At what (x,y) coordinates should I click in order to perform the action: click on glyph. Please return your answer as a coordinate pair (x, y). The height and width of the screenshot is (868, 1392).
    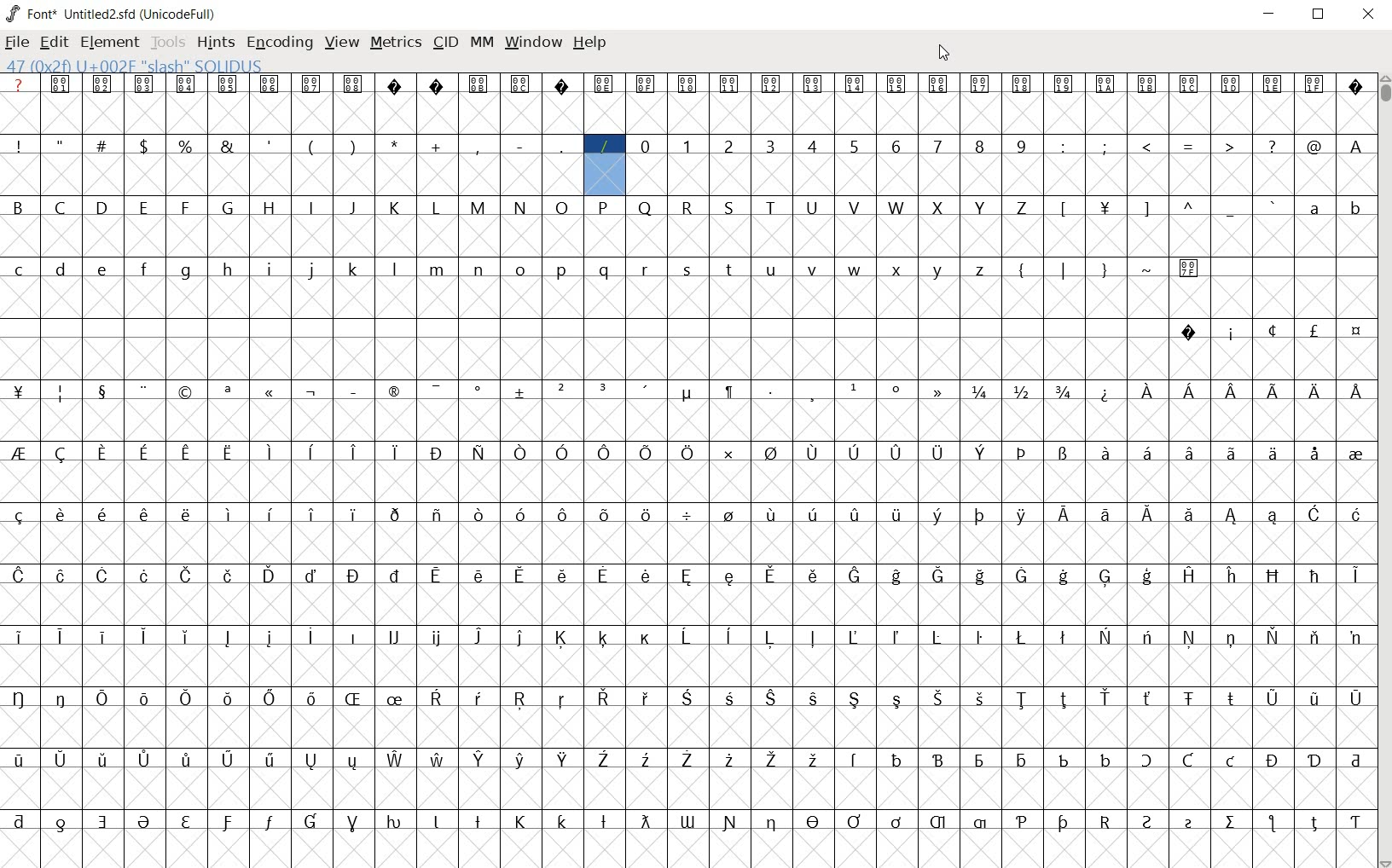
    Looking at the image, I should click on (1106, 452).